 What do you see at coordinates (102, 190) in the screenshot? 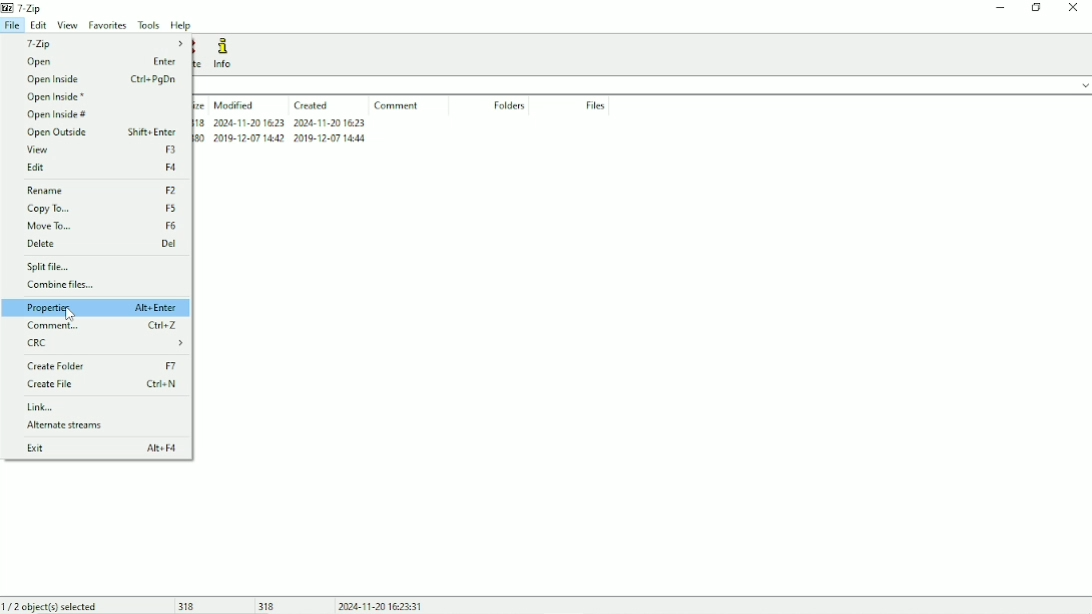
I see `Rename` at bounding box center [102, 190].